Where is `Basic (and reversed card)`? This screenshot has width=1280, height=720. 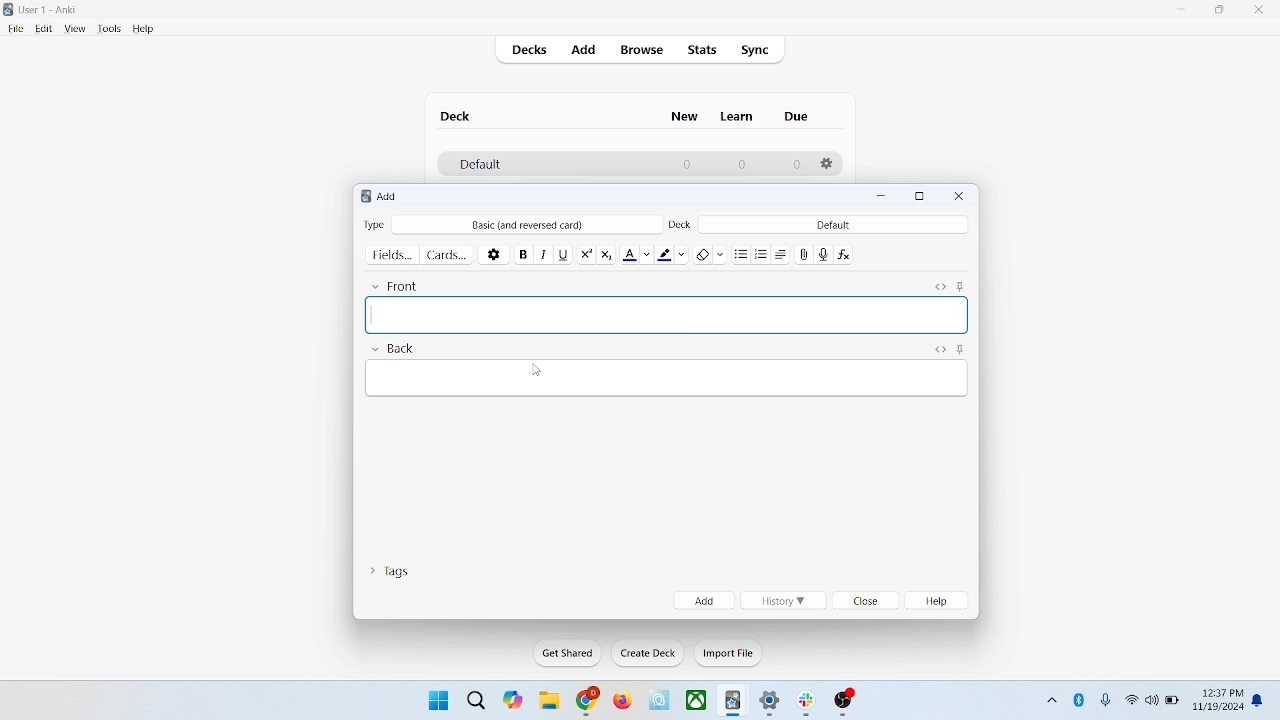 Basic (and reversed card) is located at coordinates (537, 225).